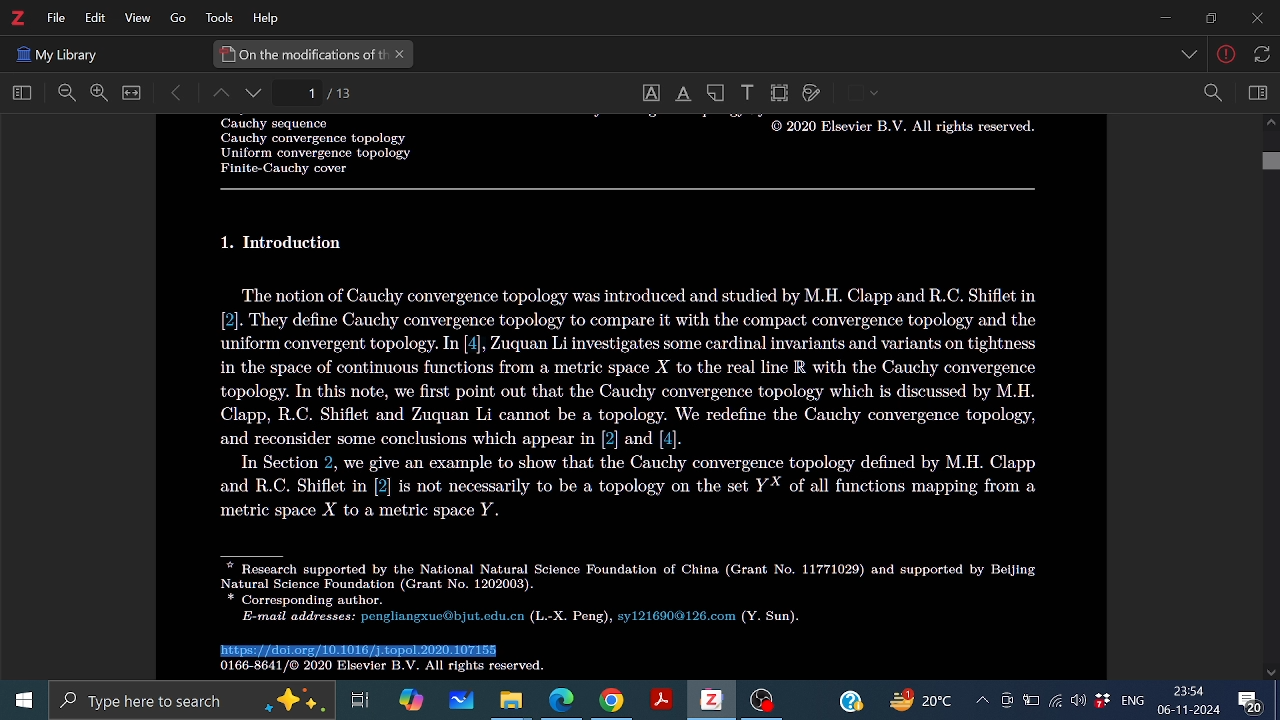  What do you see at coordinates (301, 54) in the screenshot?
I see `Current tab` at bounding box center [301, 54].